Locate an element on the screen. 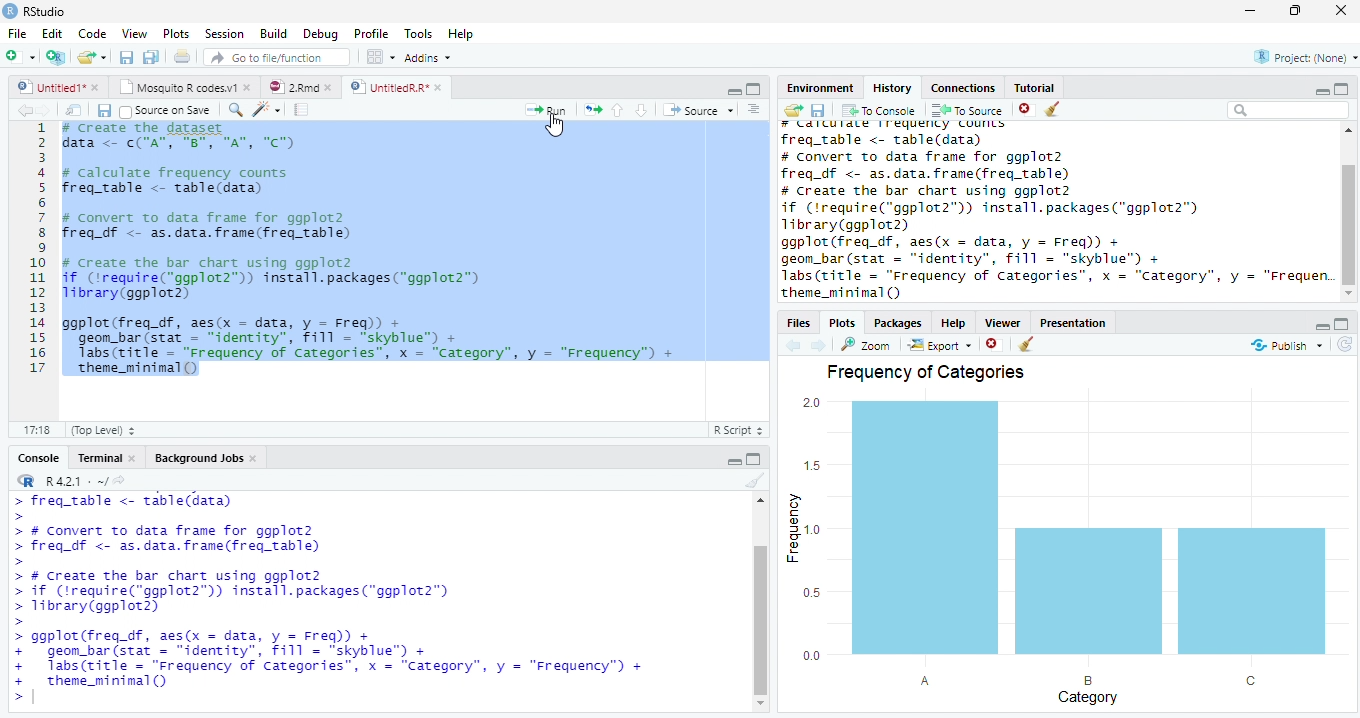 The image size is (1360, 718). File is located at coordinates (14, 34).